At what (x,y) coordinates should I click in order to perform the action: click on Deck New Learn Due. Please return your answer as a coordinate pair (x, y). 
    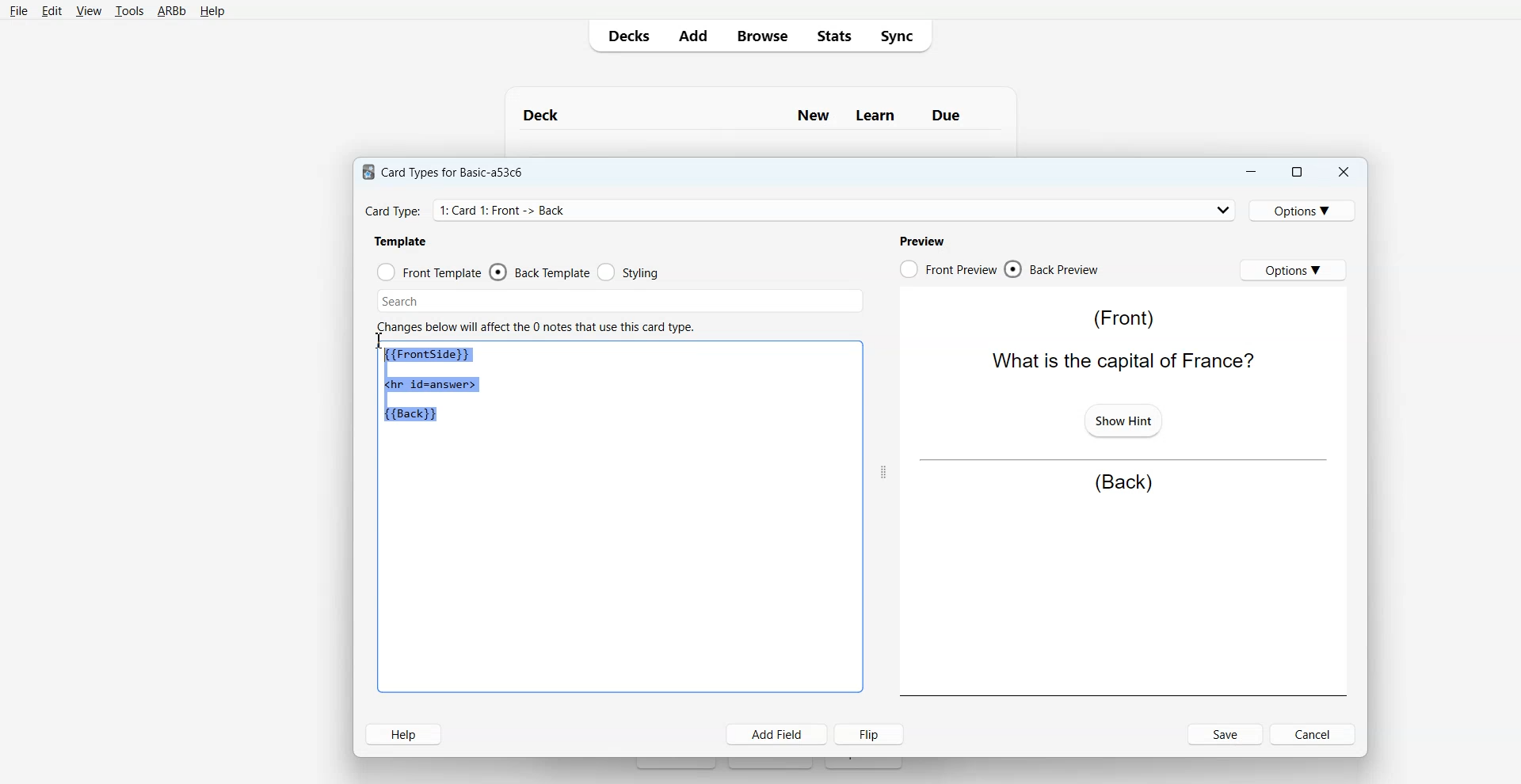
    Looking at the image, I should click on (750, 115).